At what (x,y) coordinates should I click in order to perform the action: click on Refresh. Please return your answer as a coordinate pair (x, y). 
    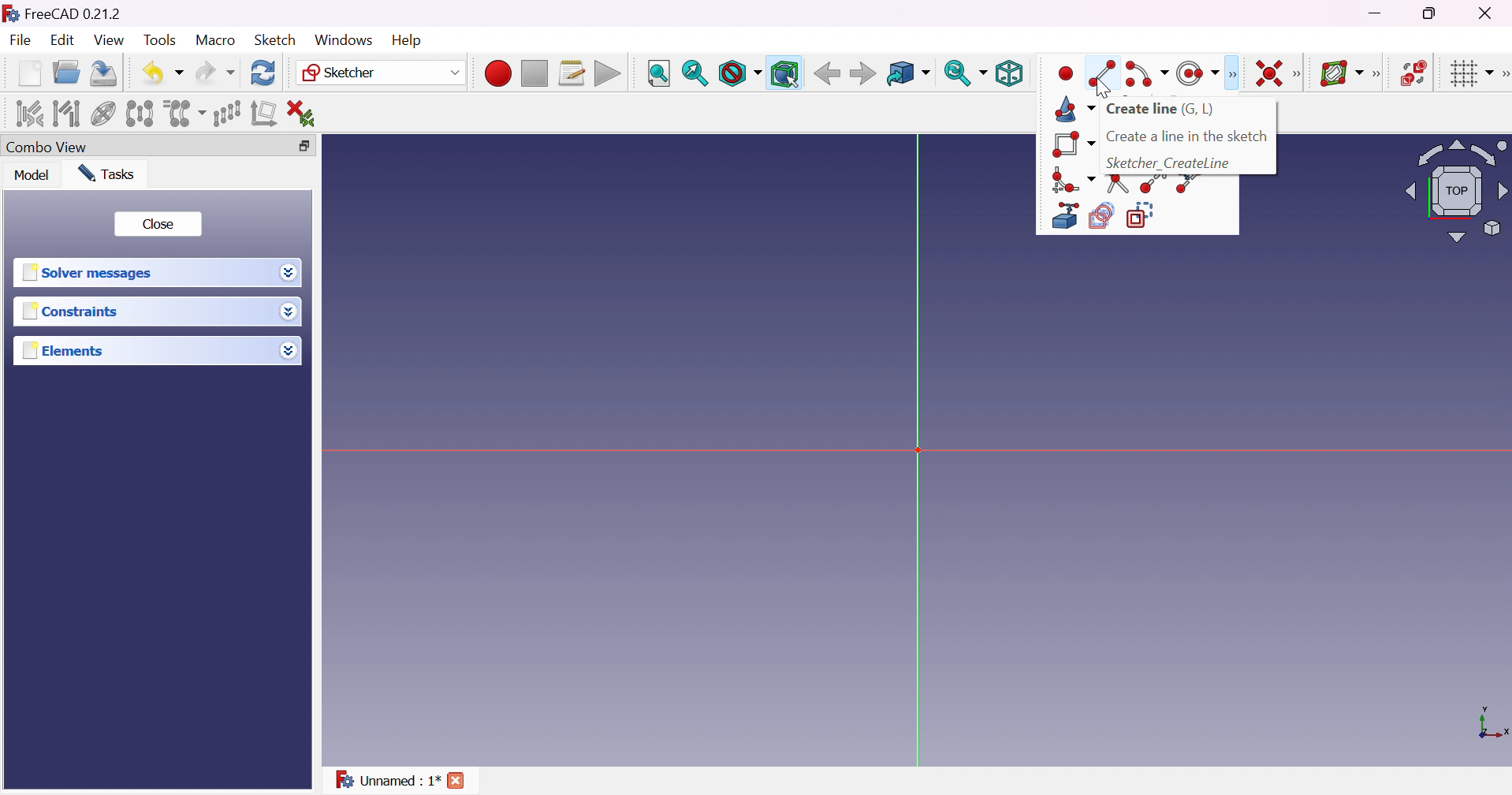
    Looking at the image, I should click on (264, 73).